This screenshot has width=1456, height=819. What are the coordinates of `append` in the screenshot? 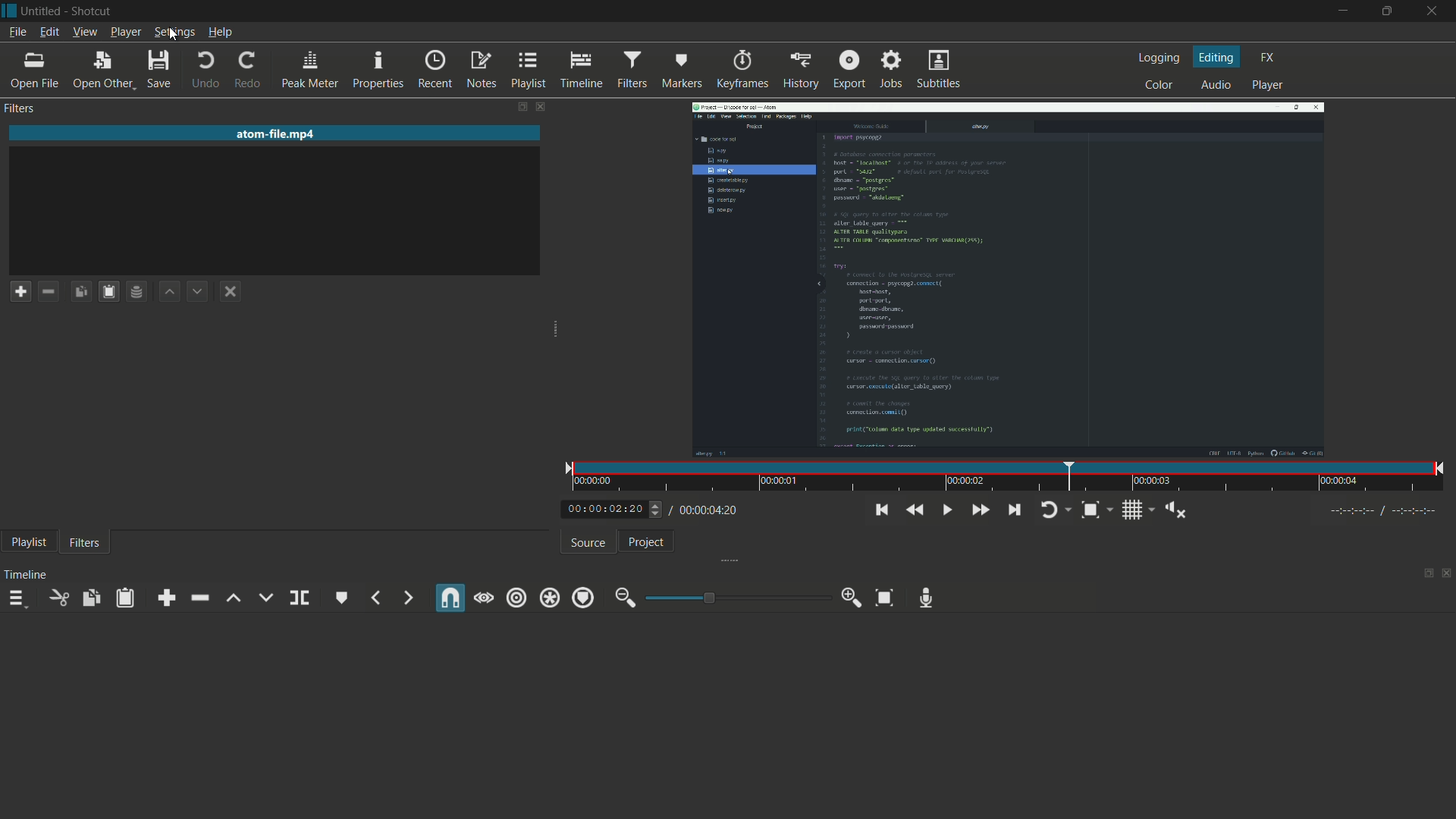 It's located at (167, 598).